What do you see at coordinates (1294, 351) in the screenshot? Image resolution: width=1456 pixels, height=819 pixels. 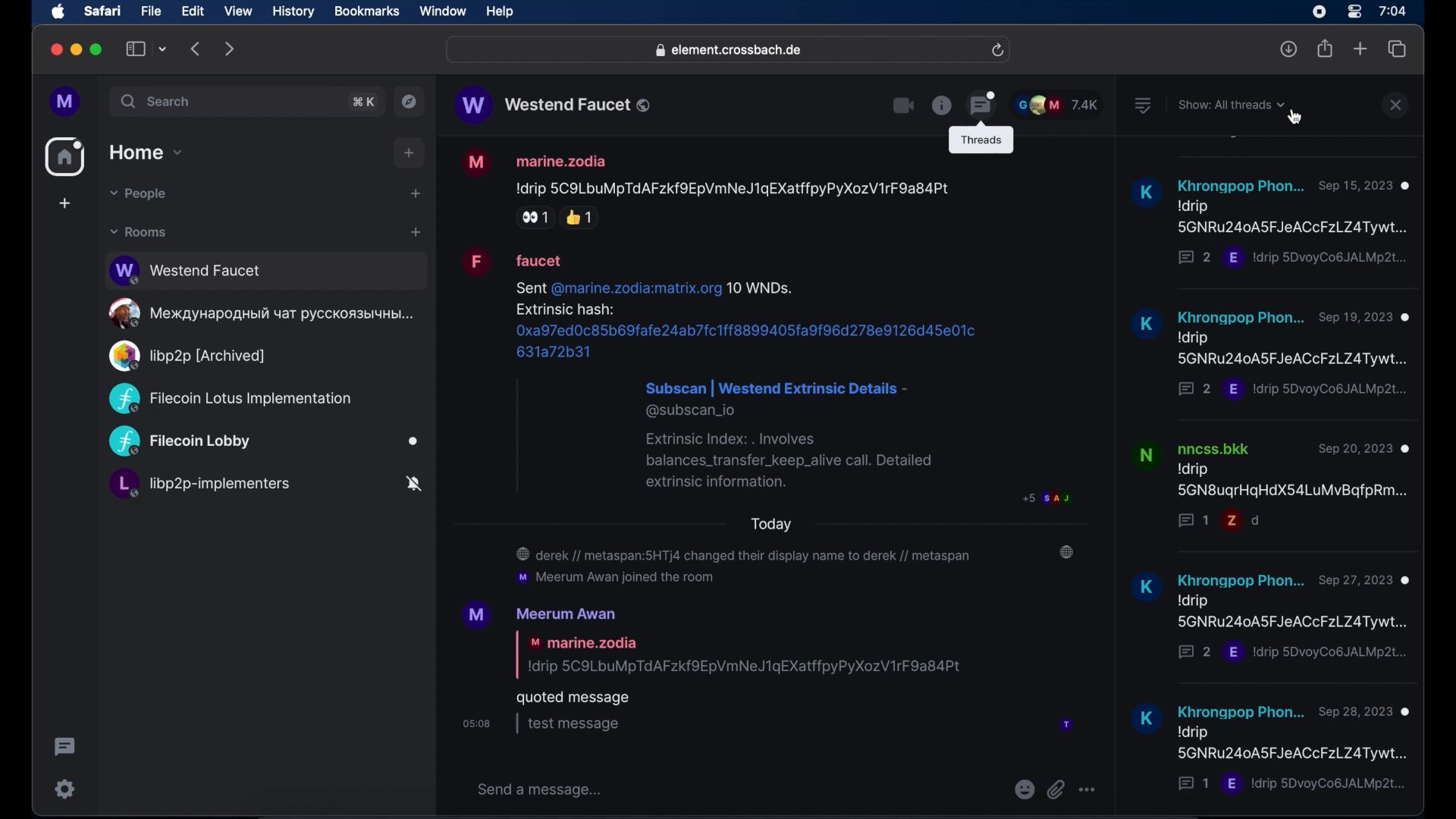 I see `Idrip
5GNRu240A5FJeACCcFzLZATywt...` at bounding box center [1294, 351].